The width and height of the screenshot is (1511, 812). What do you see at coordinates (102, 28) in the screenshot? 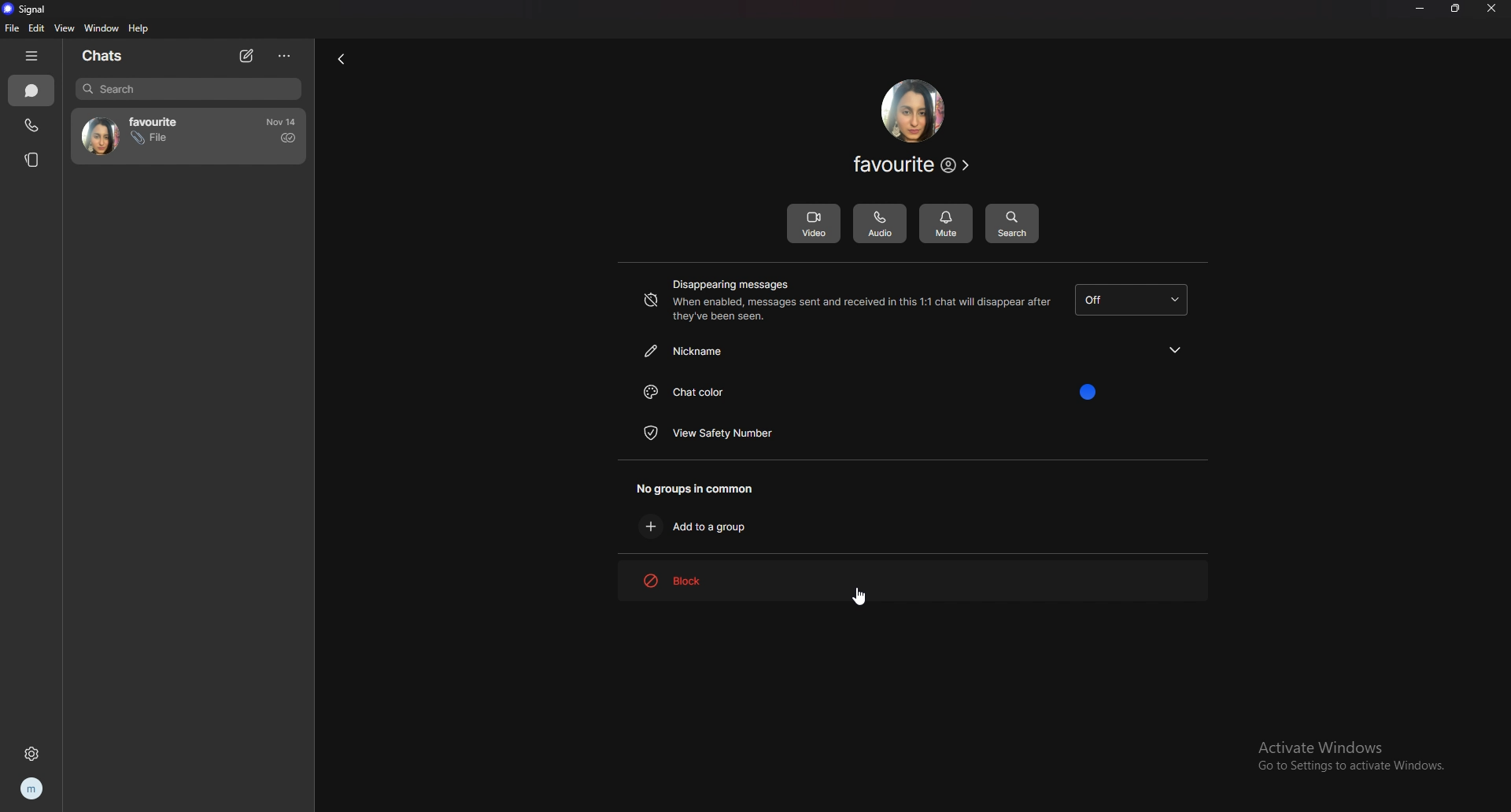
I see `window` at bounding box center [102, 28].